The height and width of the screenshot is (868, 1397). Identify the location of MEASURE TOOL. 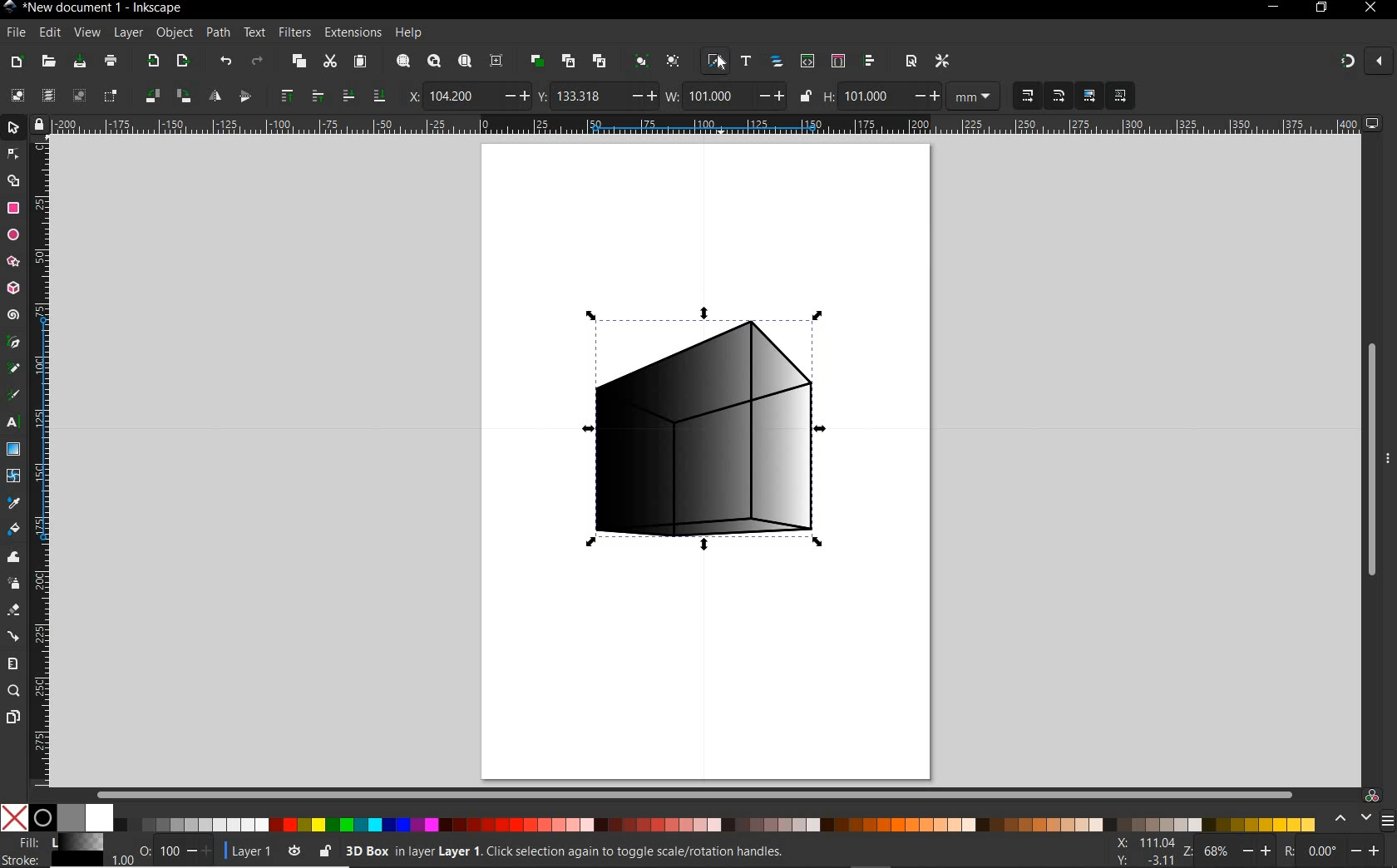
(13, 663).